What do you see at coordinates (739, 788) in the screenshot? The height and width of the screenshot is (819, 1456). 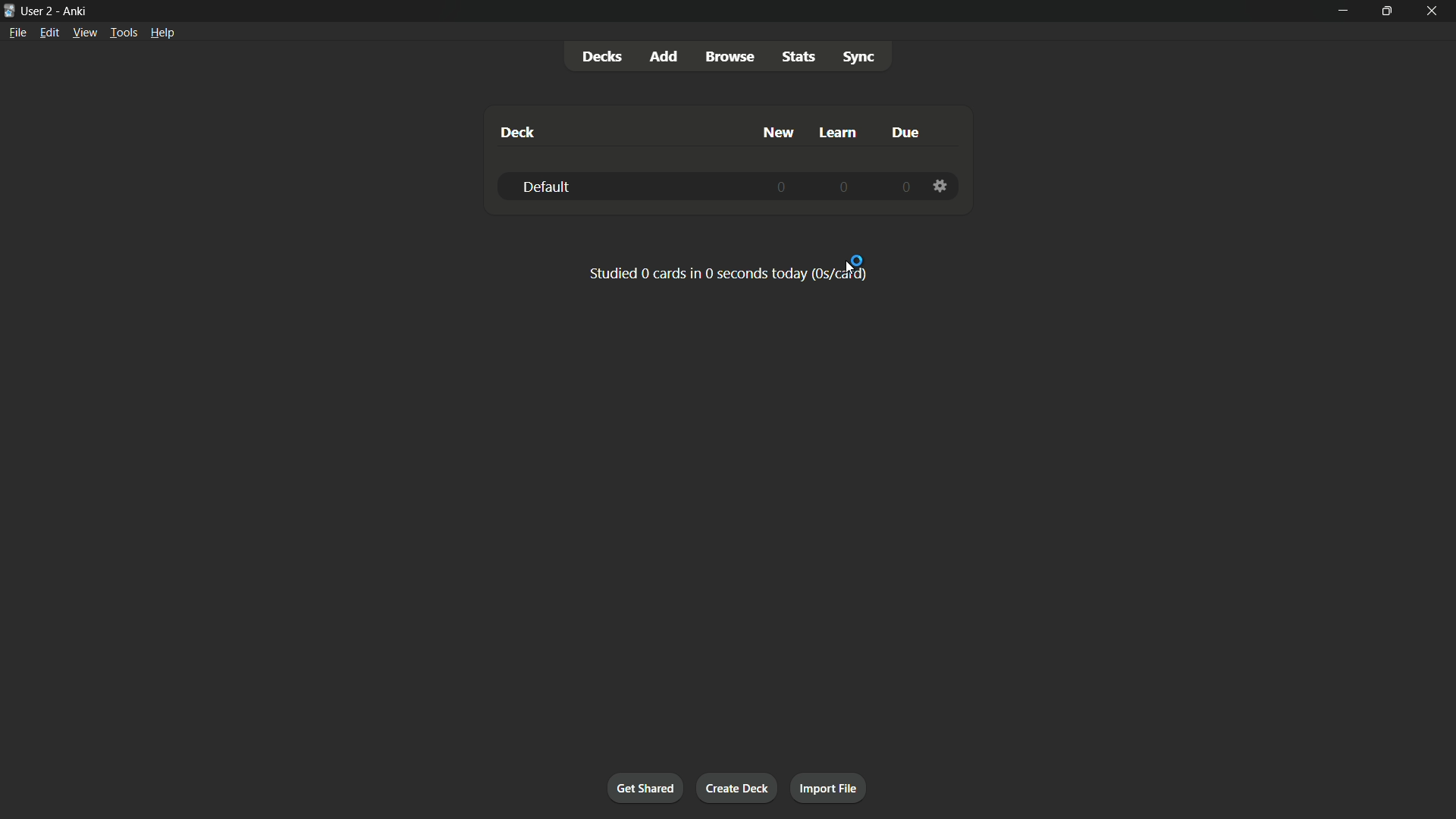 I see `Create deck` at bounding box center [739, 788].